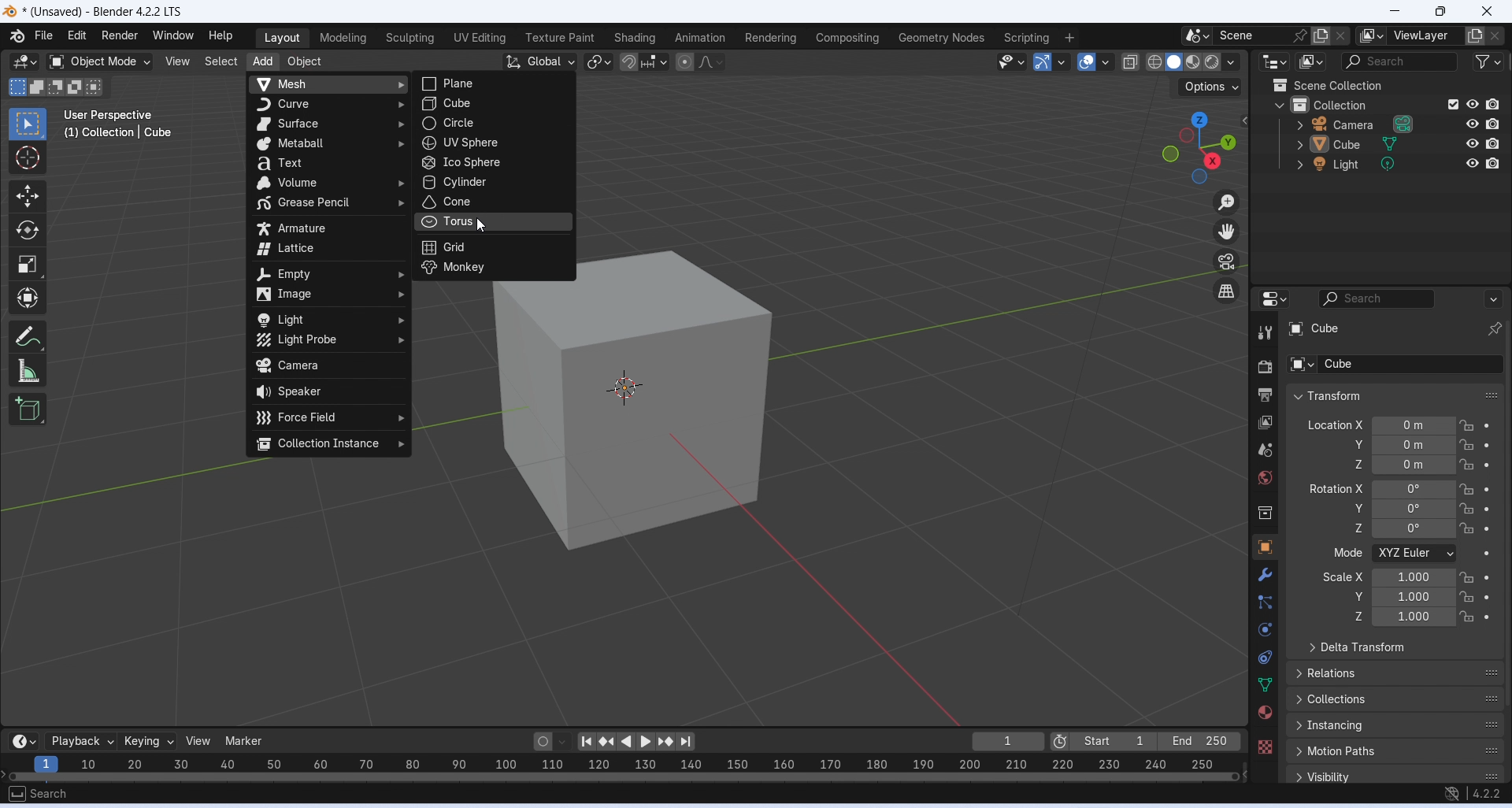 The image size is (1512, 808). I want to click on Add workspace, so click(1069, 39).